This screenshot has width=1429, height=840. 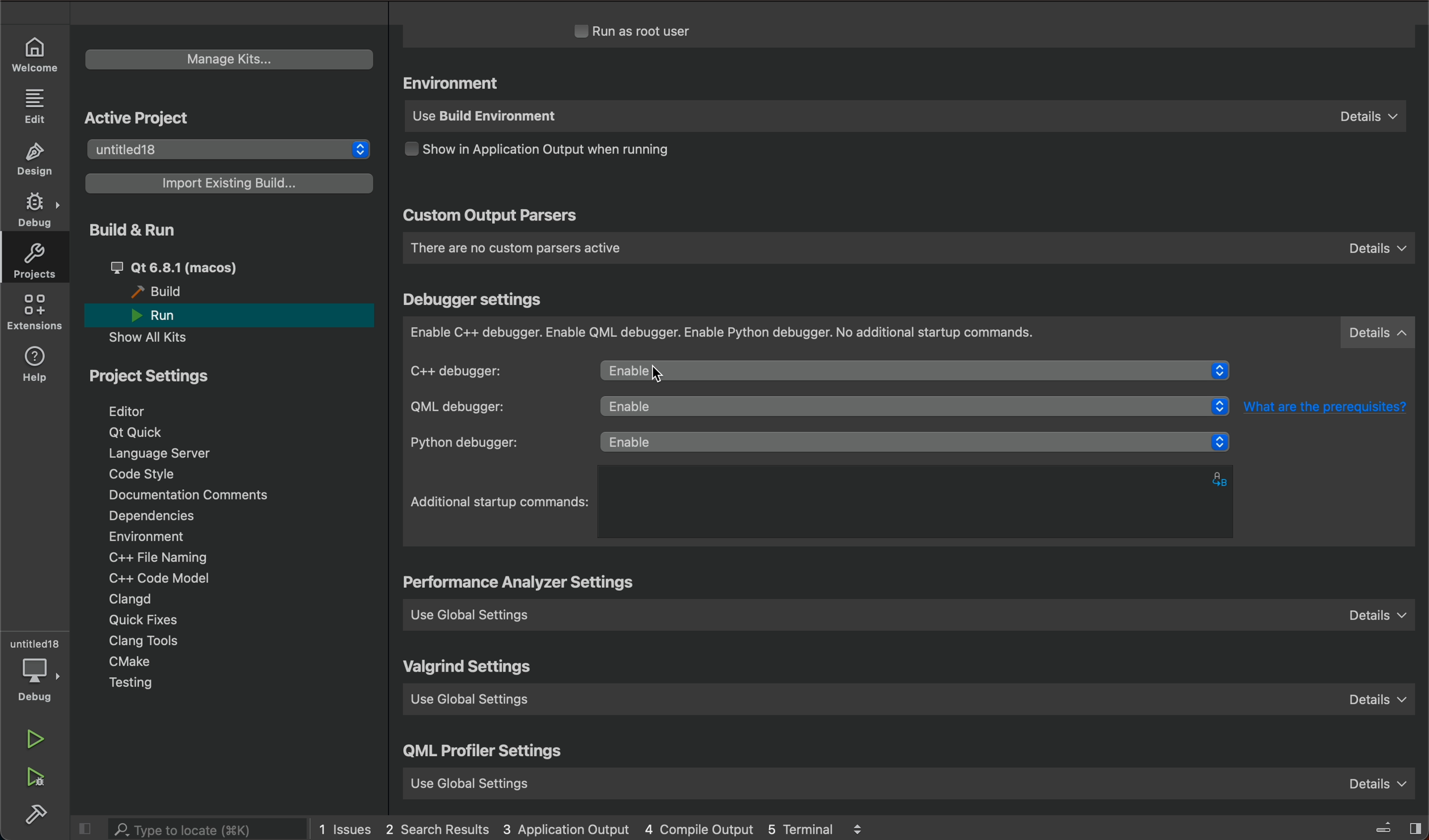 I want to click on environment, so click(x=146, y=536).